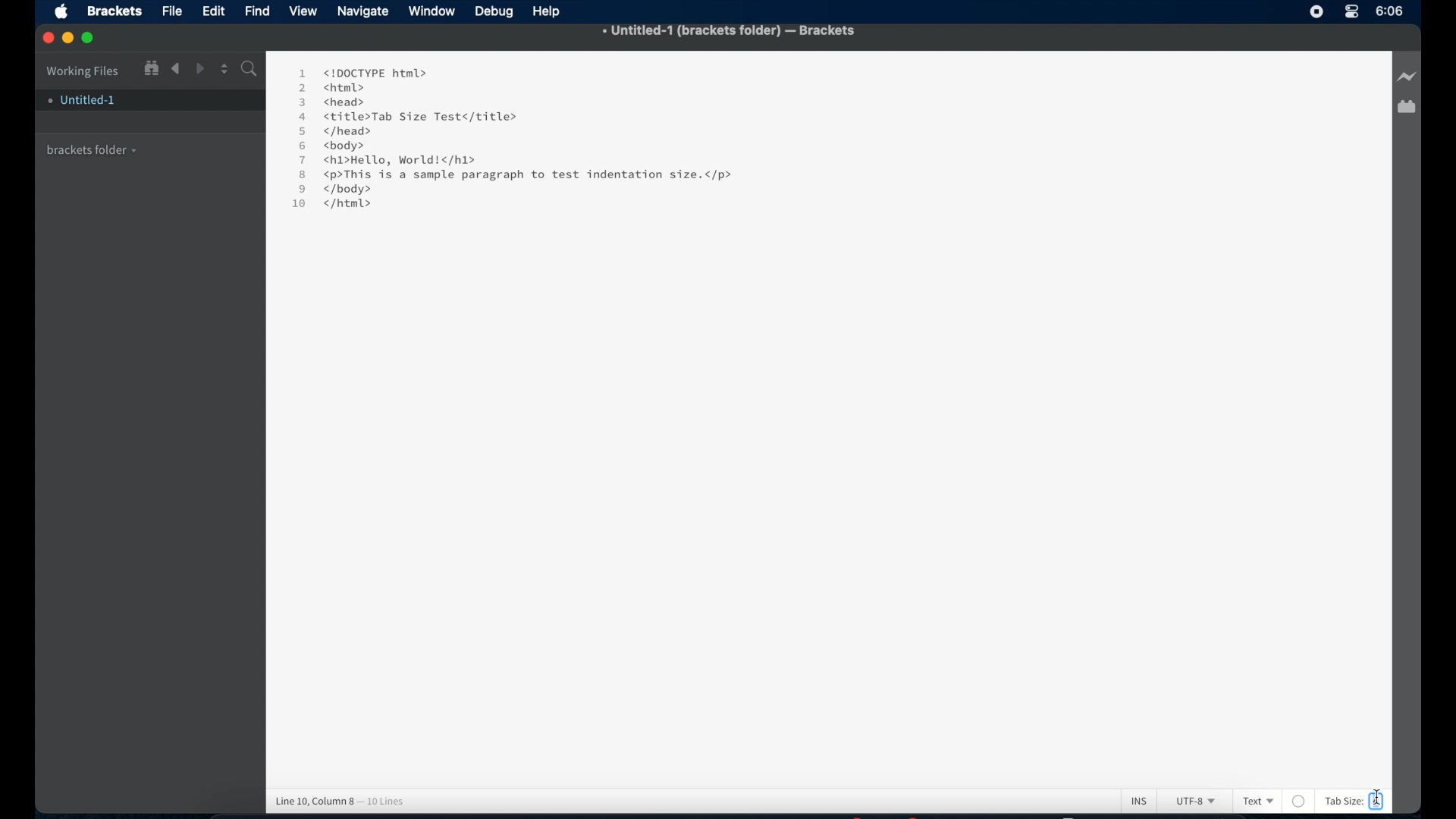 The image size is (1456, 819). What do you see at coordinates (519, 175) in the screenshot?
I see `8 <p>This is a sample paragraph to test indentation size.</p>` at bounding box center [519, 175].